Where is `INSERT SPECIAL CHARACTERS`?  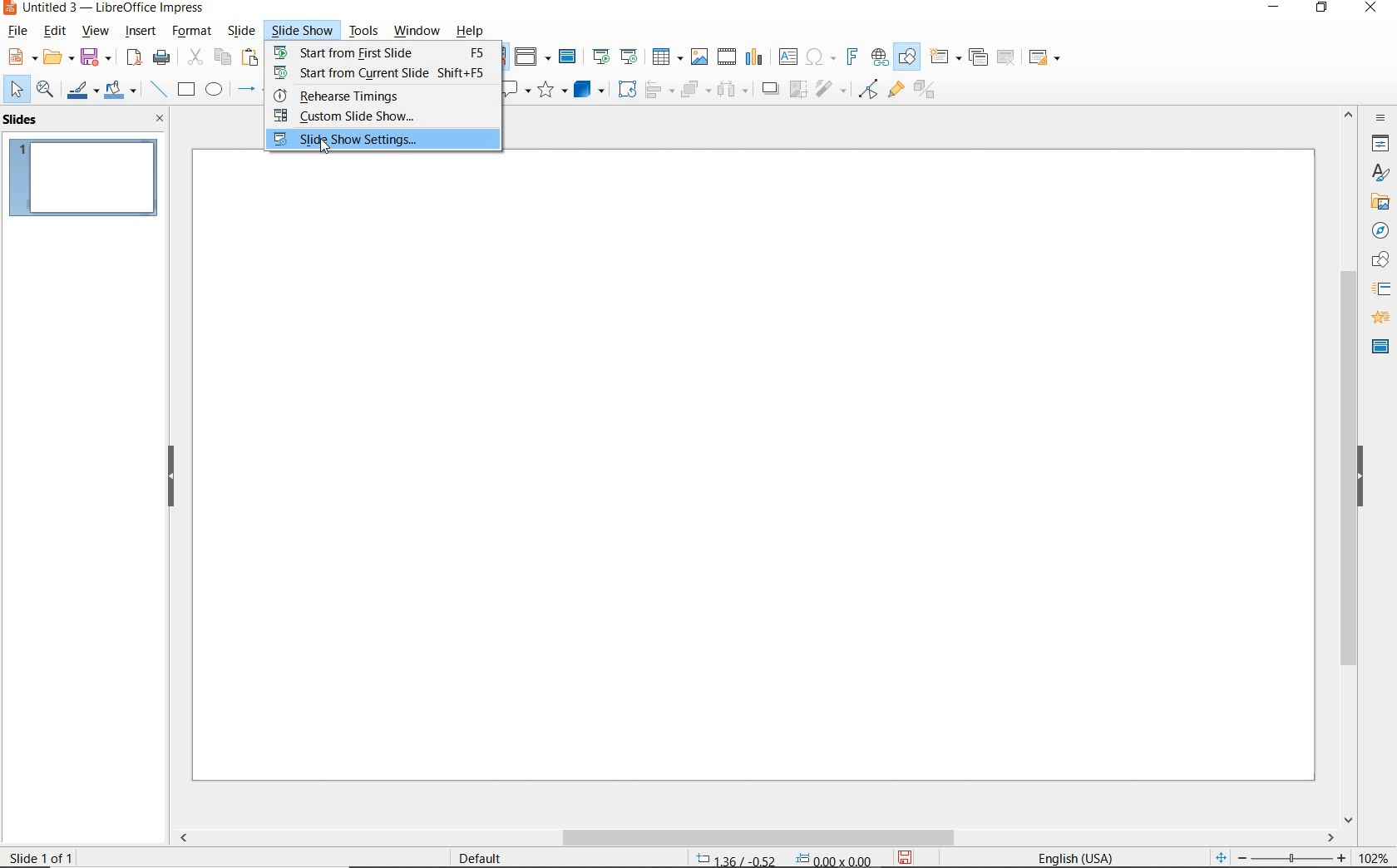 INSERT SPECIAL CHARACTERS is located at coordinates (819, 57).